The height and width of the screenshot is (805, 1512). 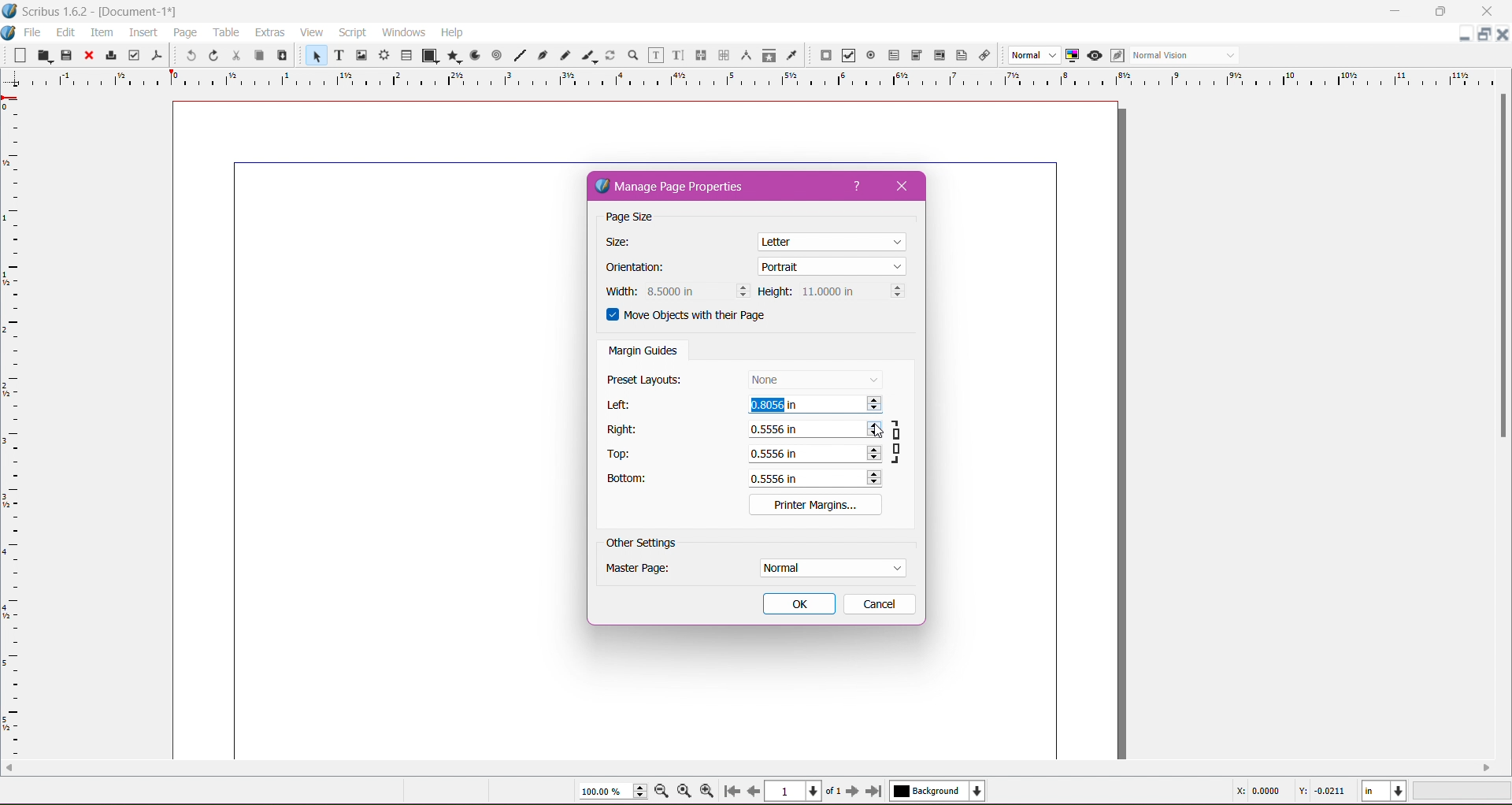 I want to click on Height, so click(x=775, y=292).